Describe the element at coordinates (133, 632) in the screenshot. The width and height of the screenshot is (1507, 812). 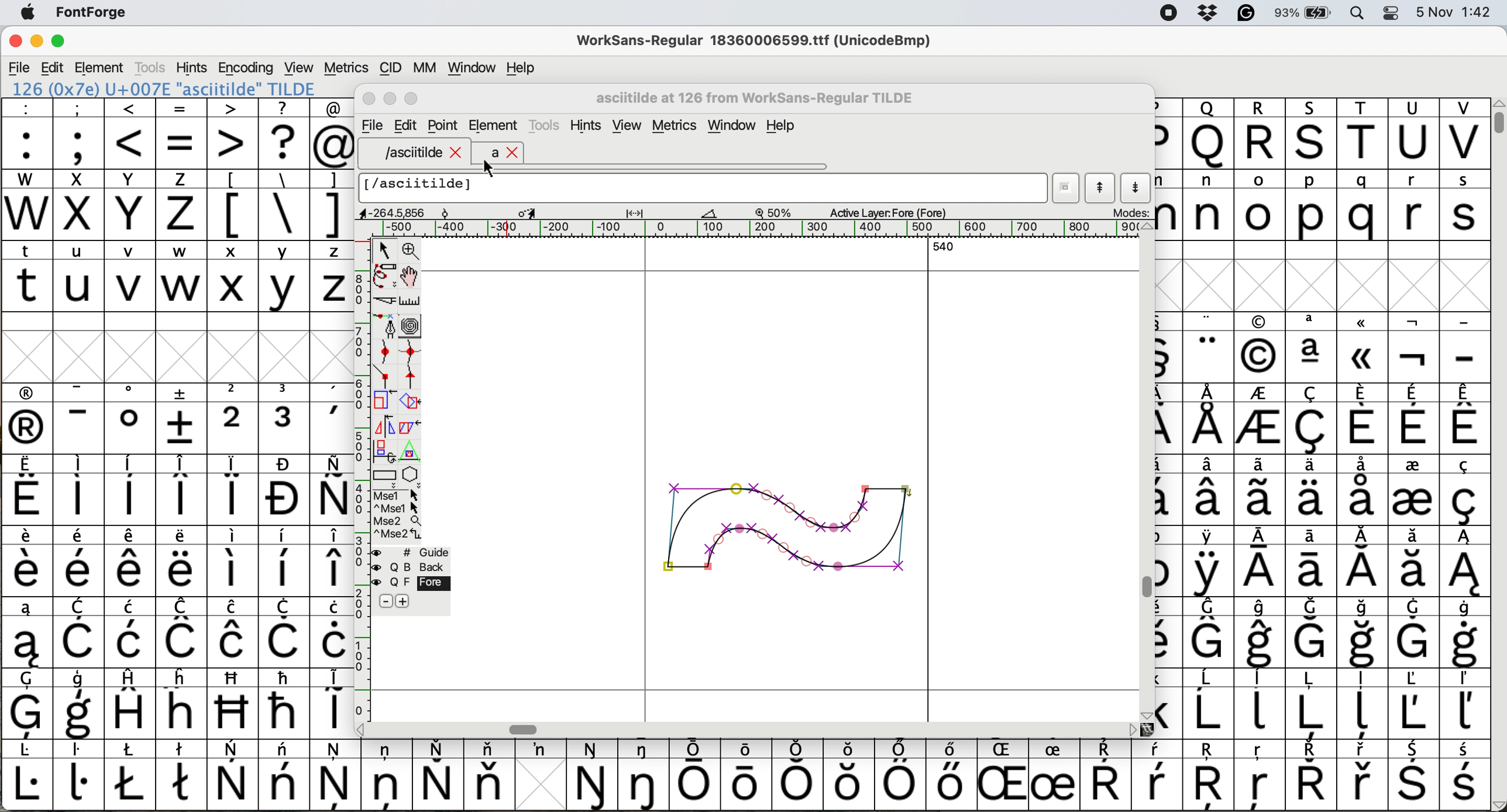
I see `symbol` at that location.